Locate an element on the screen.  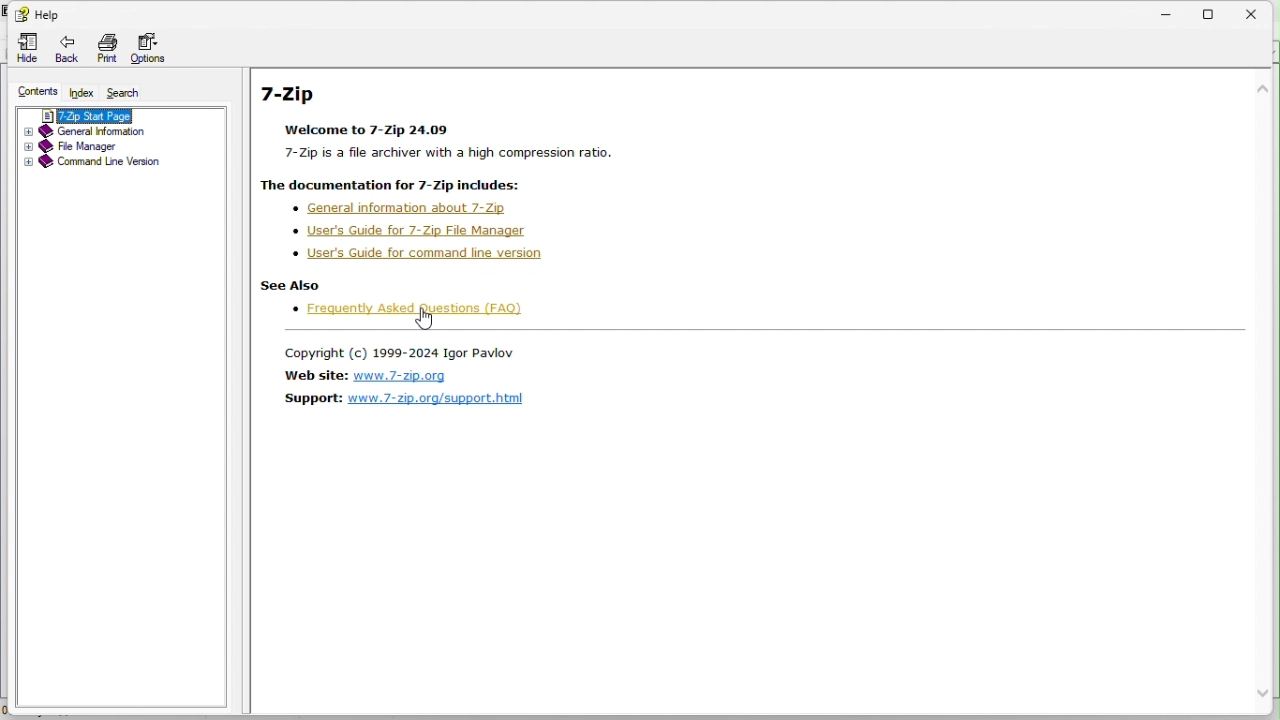
content is located at coordinates (34, 91).